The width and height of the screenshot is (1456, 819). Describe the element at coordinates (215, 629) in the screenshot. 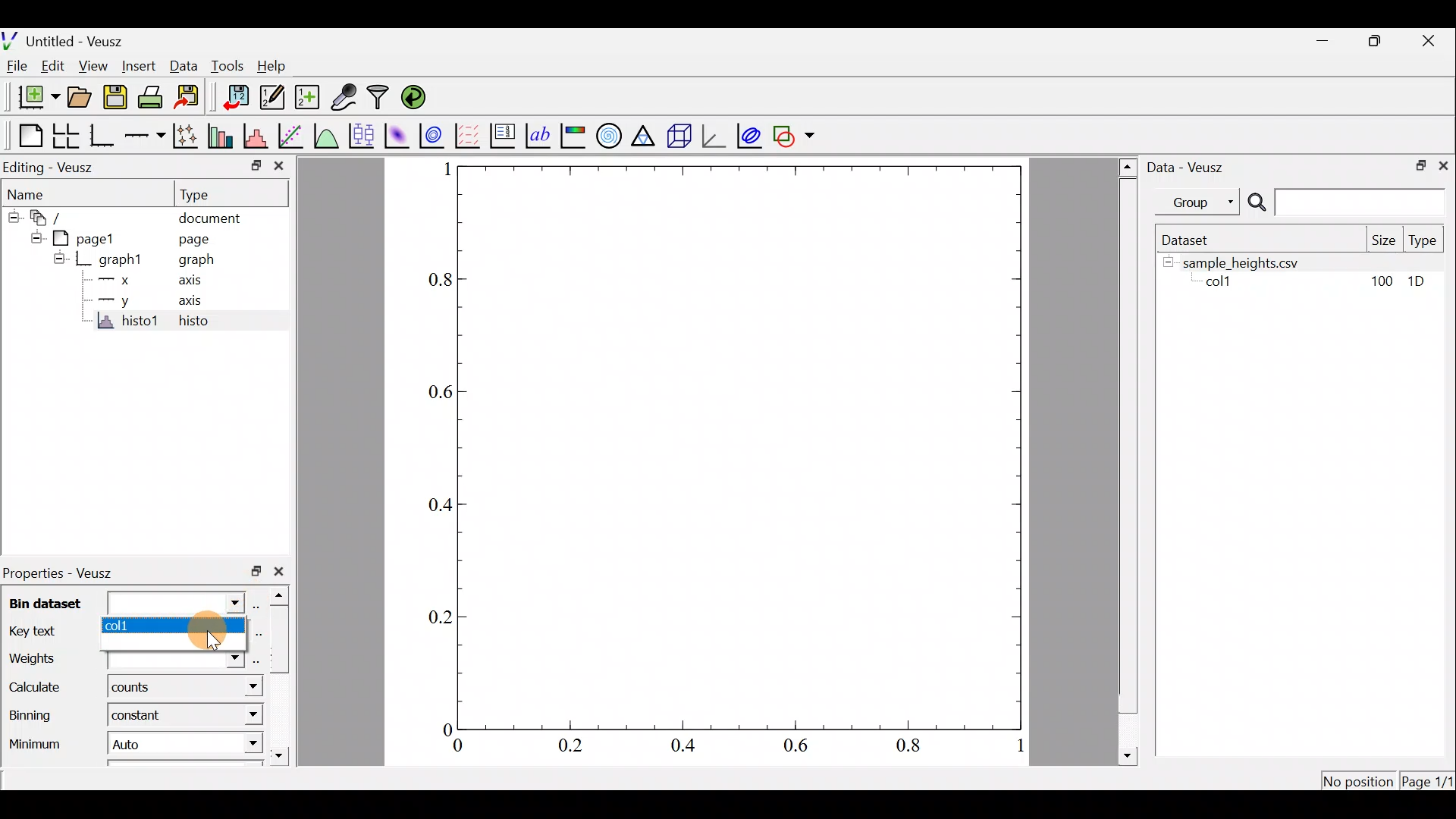

I see `Cursor` at that location.